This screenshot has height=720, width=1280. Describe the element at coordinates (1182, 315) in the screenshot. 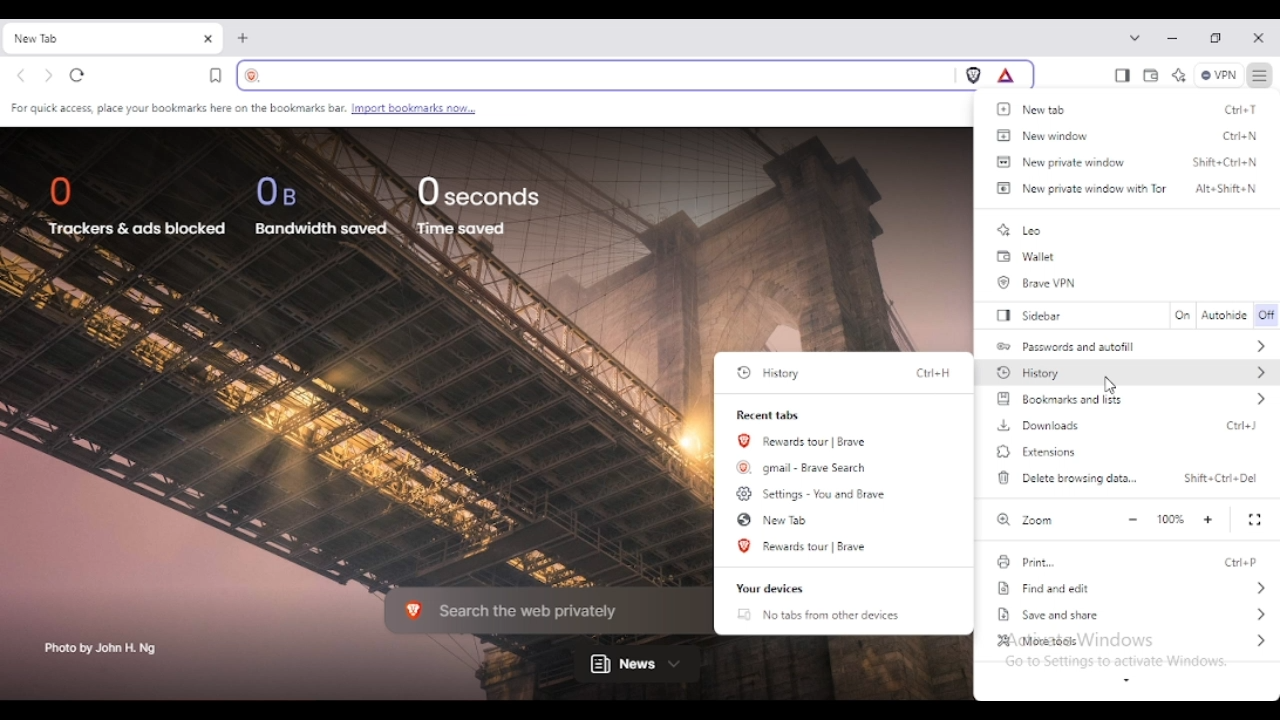

I see `on` at that location.